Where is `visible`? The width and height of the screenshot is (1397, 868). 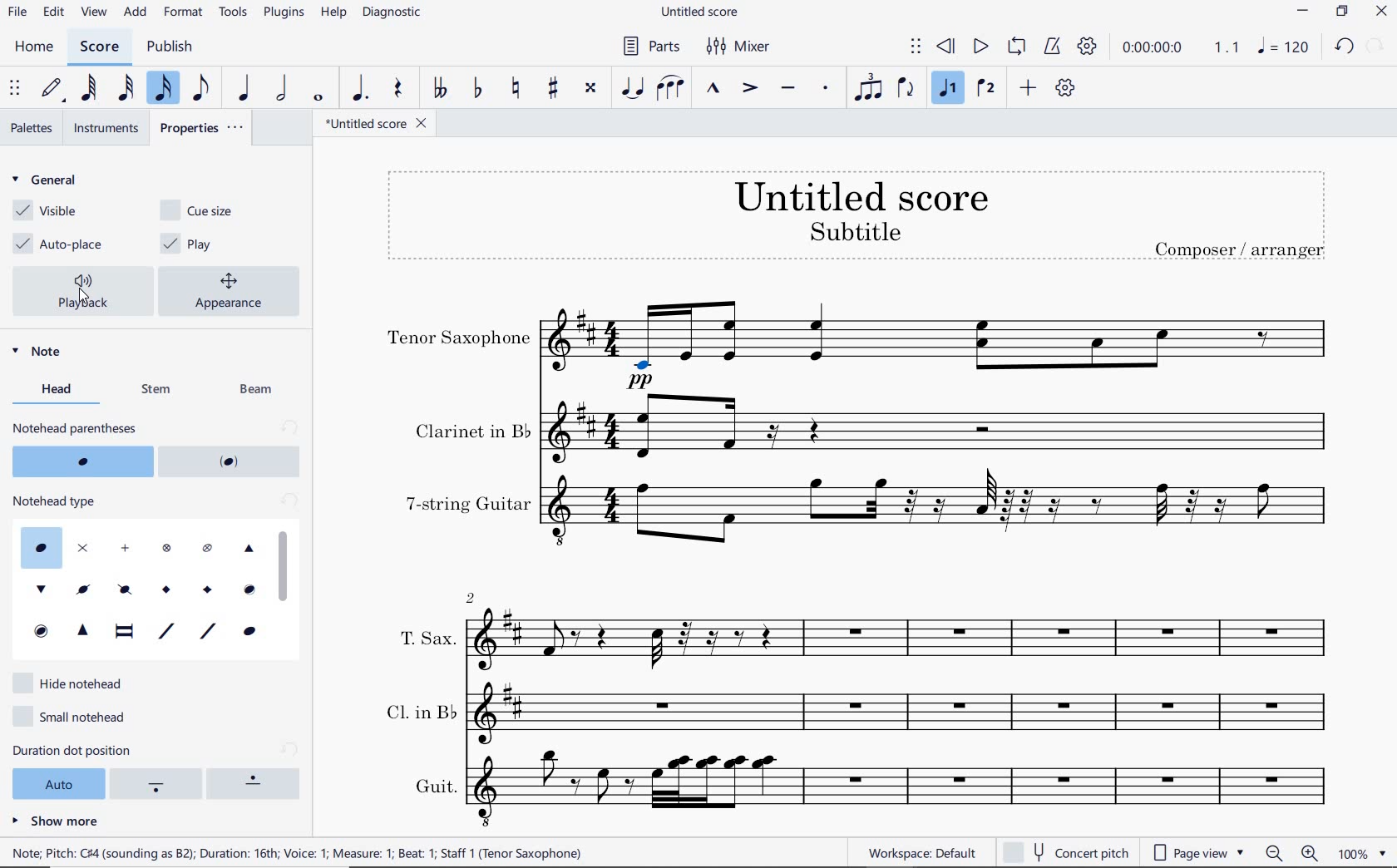
visible is located at coordinates (42, 211).